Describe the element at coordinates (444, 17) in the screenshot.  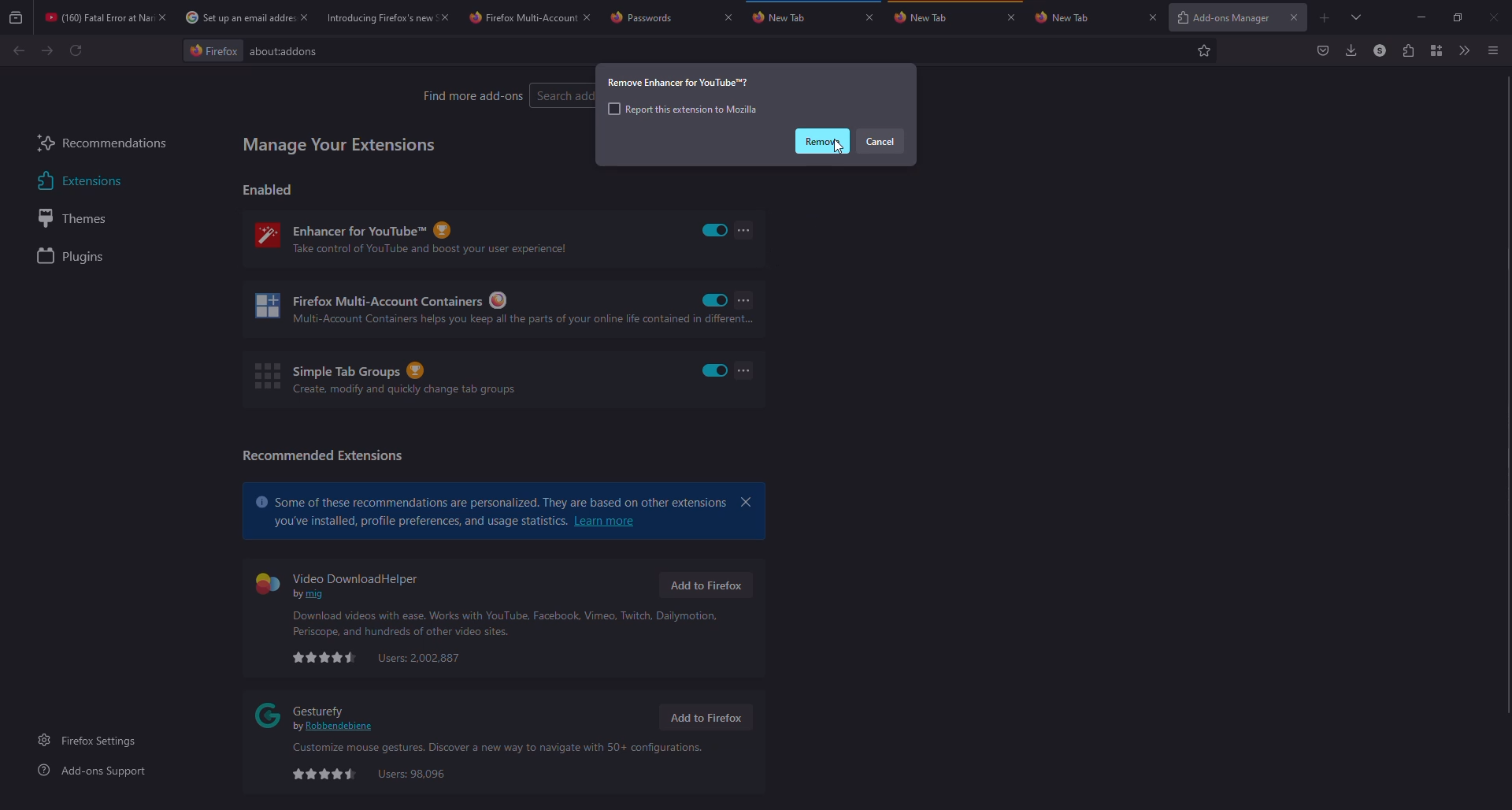
I see `close` at that location.